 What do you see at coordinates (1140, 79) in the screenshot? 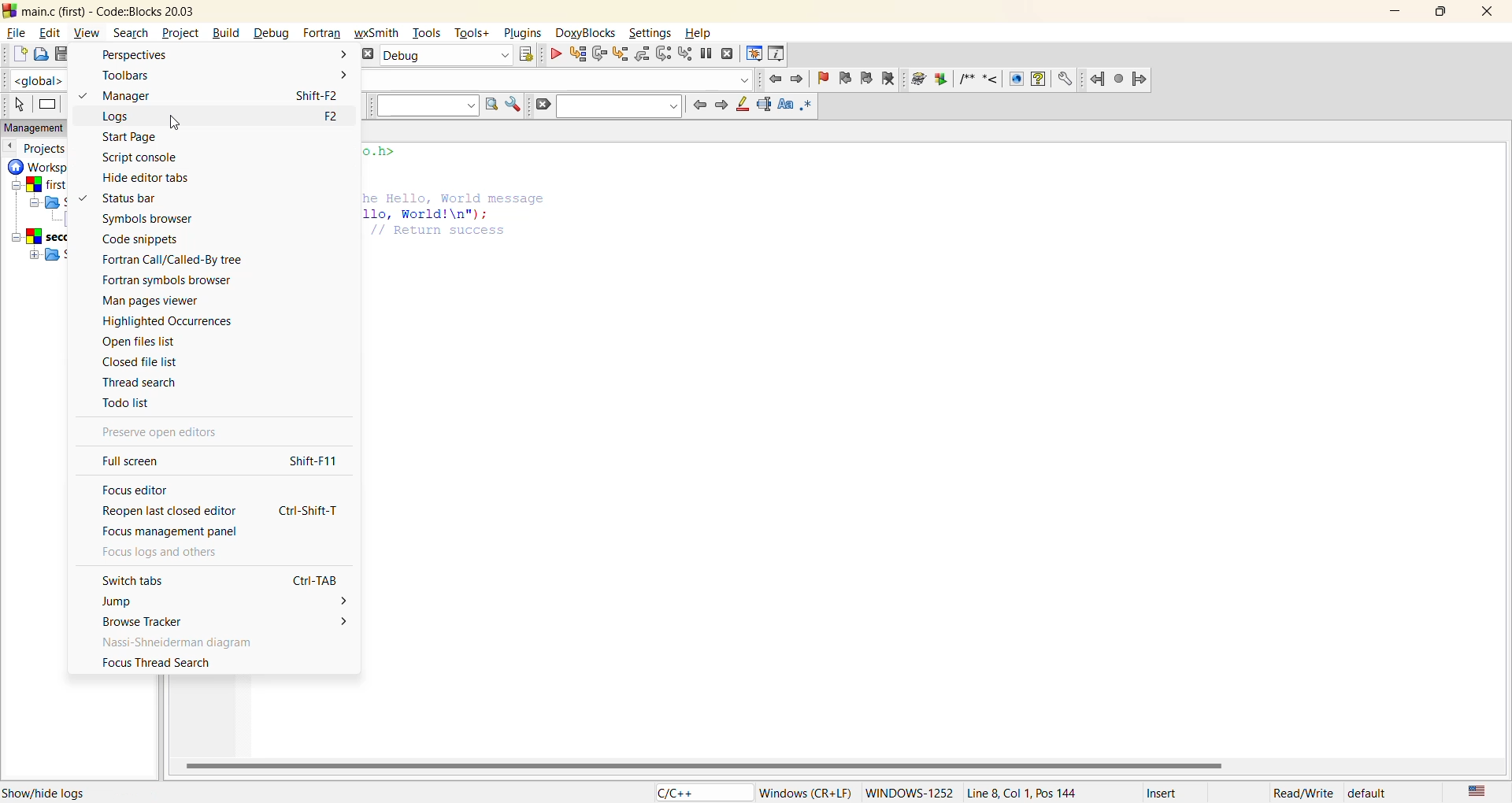
I see `Jump forward` at bounding box center [1140, 79].